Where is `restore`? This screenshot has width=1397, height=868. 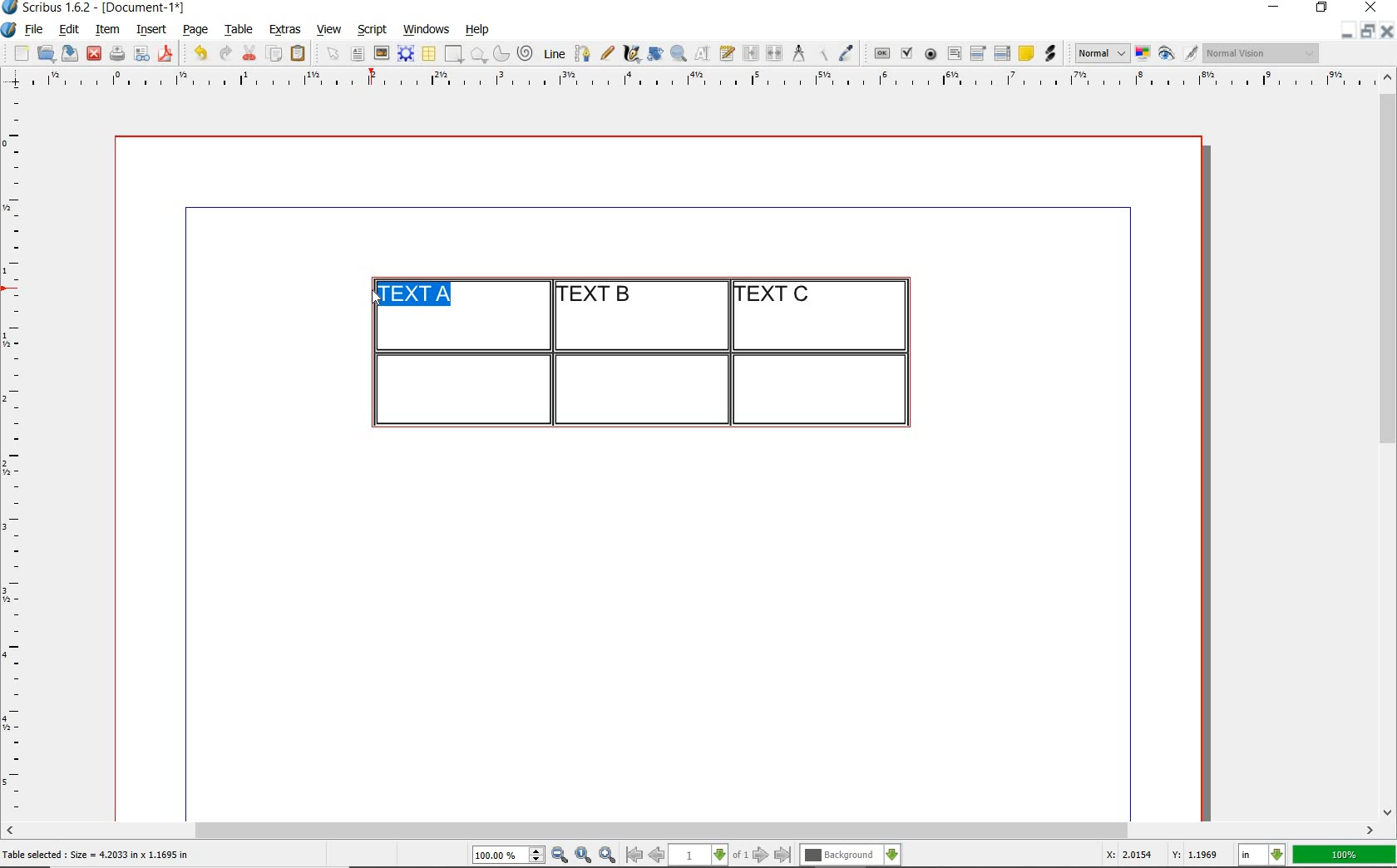 restore is located at coordinates (1322, 8).